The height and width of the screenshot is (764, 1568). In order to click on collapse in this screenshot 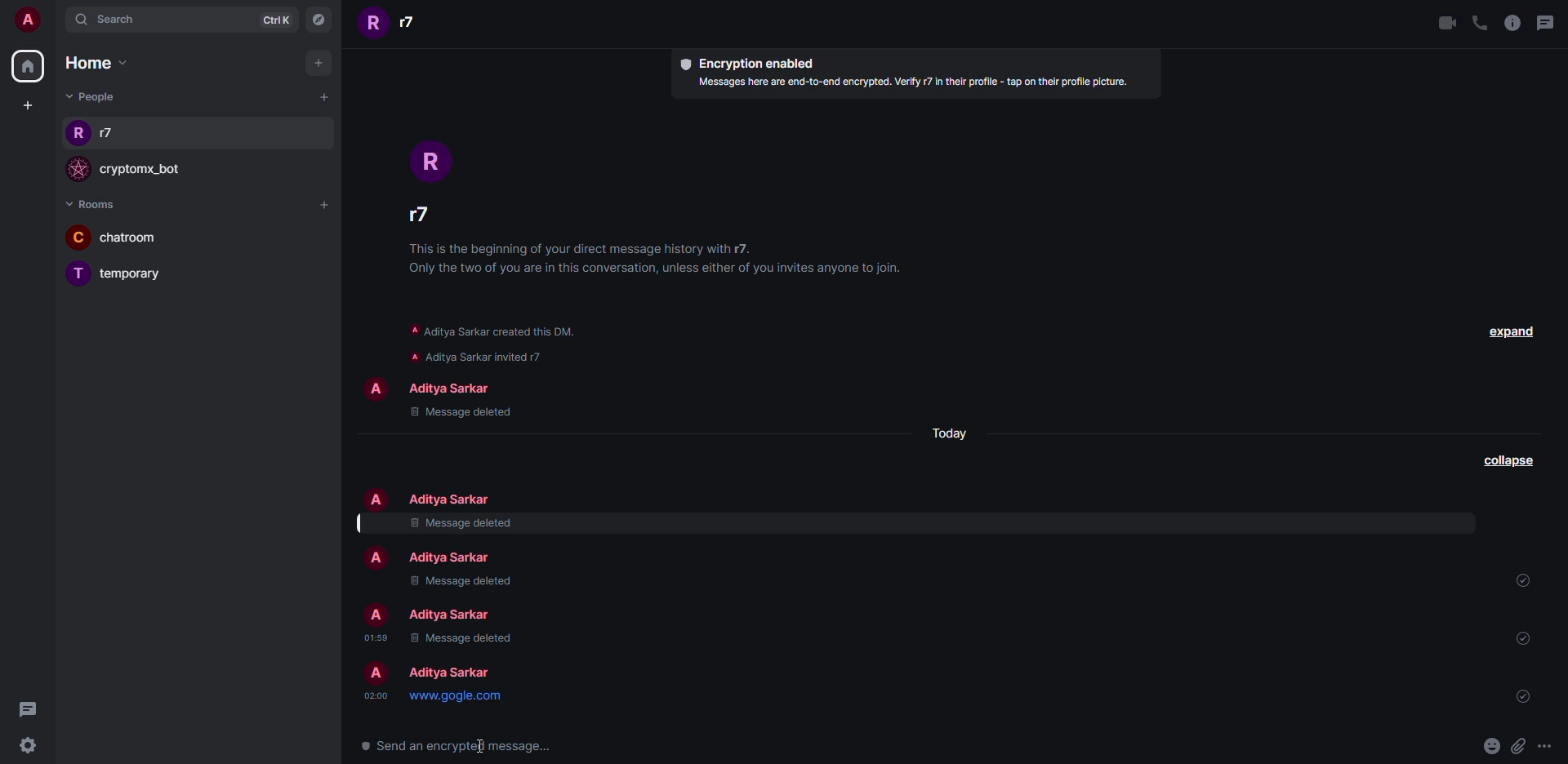, I will do `click(1503, 462)`.